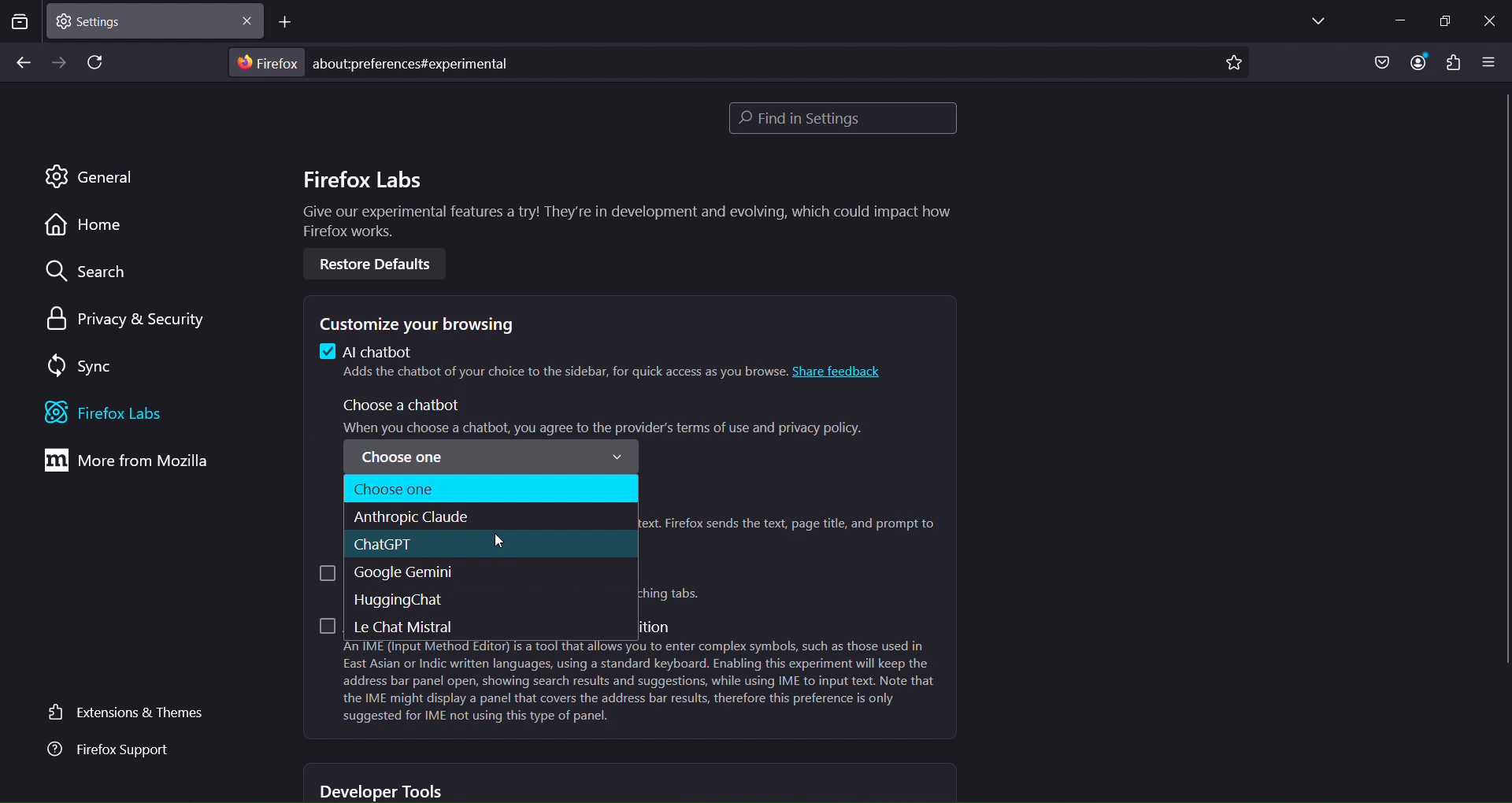 The image size is (1512, 803). I want to click on firefox support, so click(106, 752).